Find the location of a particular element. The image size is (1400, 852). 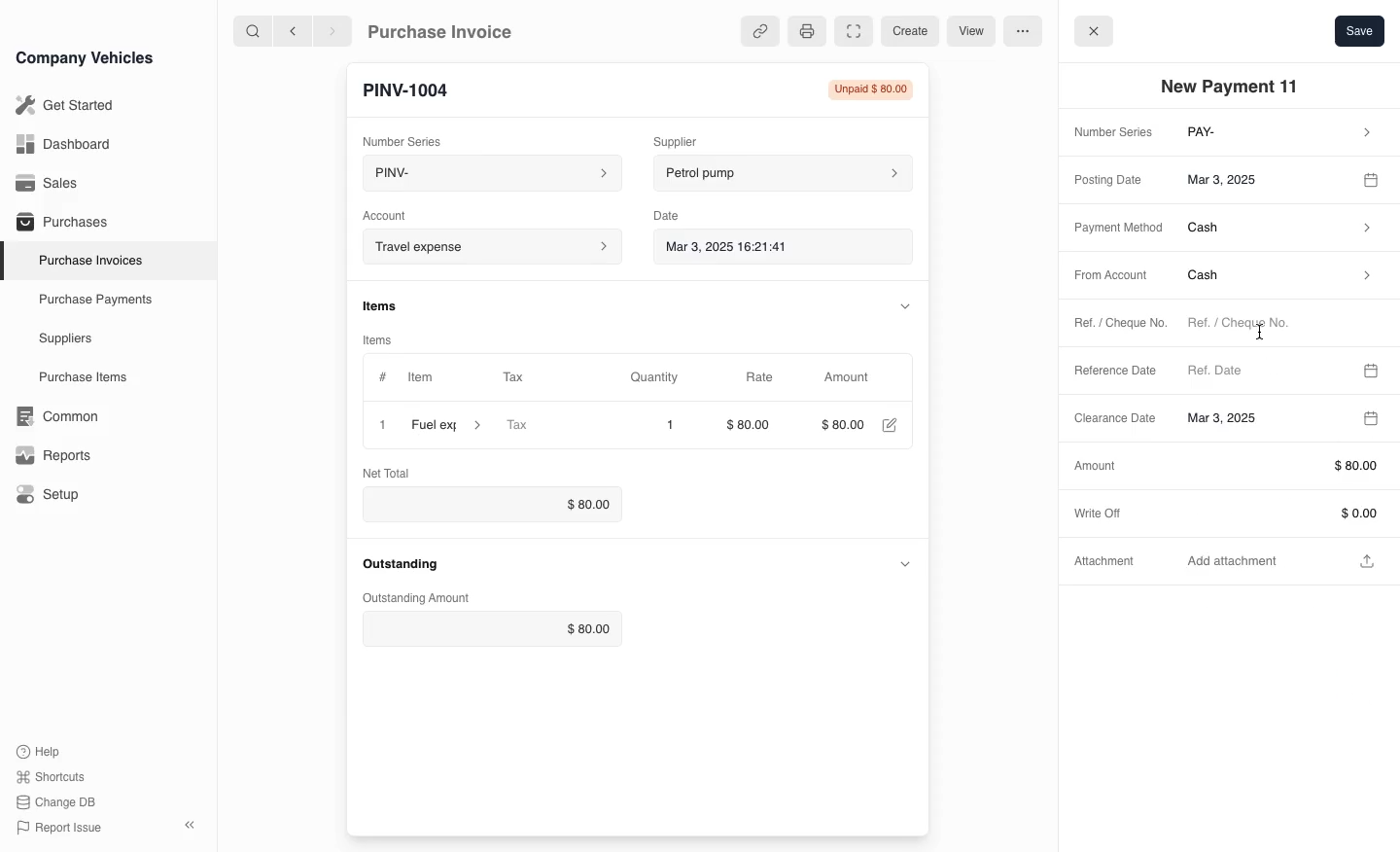

save is located at coordinates (1359, 30).